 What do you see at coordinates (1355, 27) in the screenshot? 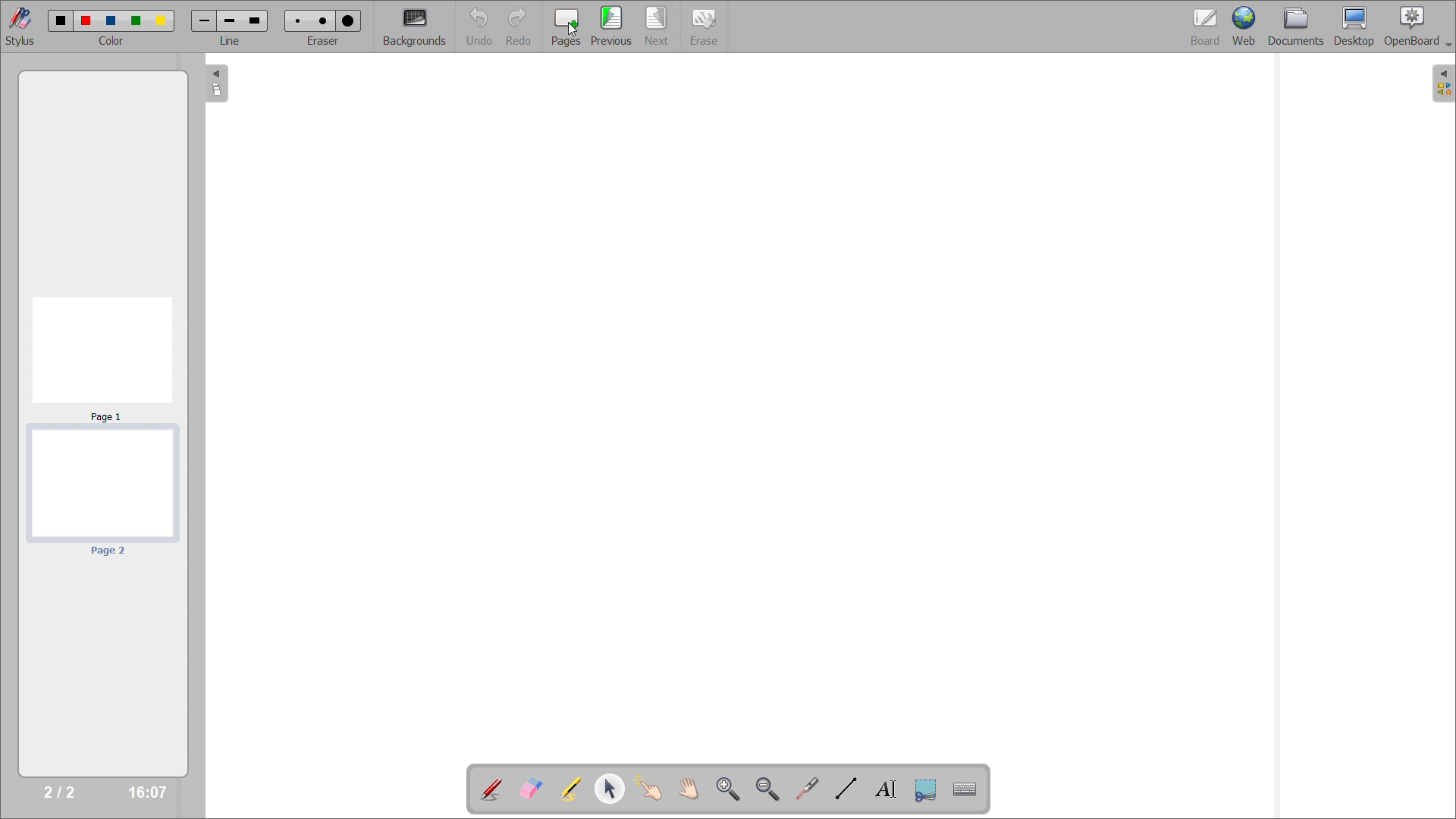
I see `desktop view` at bounding box center [1355, 27].